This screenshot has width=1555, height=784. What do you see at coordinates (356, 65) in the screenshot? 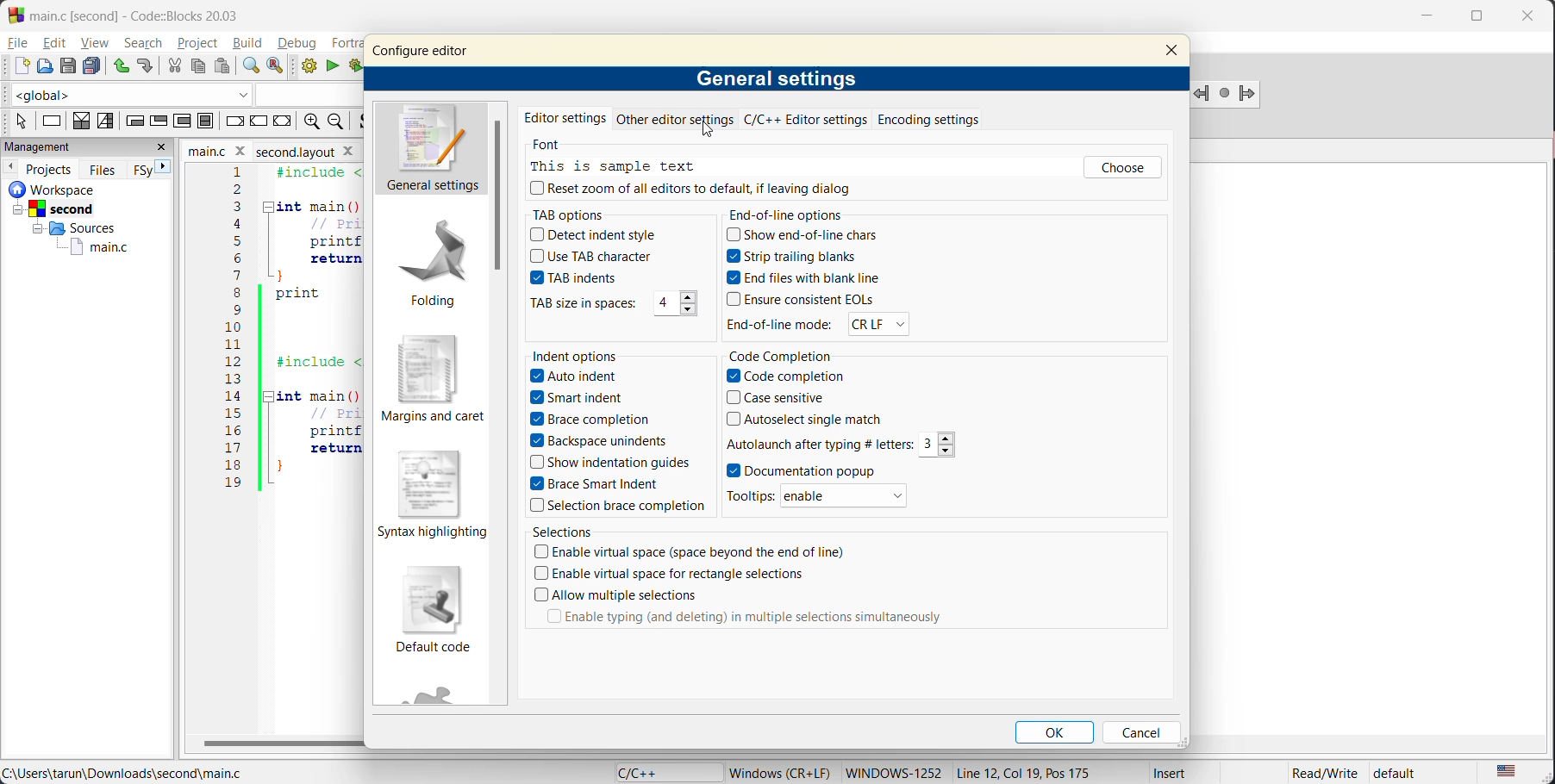
I see `build and run` at bounding box center [356, 65].